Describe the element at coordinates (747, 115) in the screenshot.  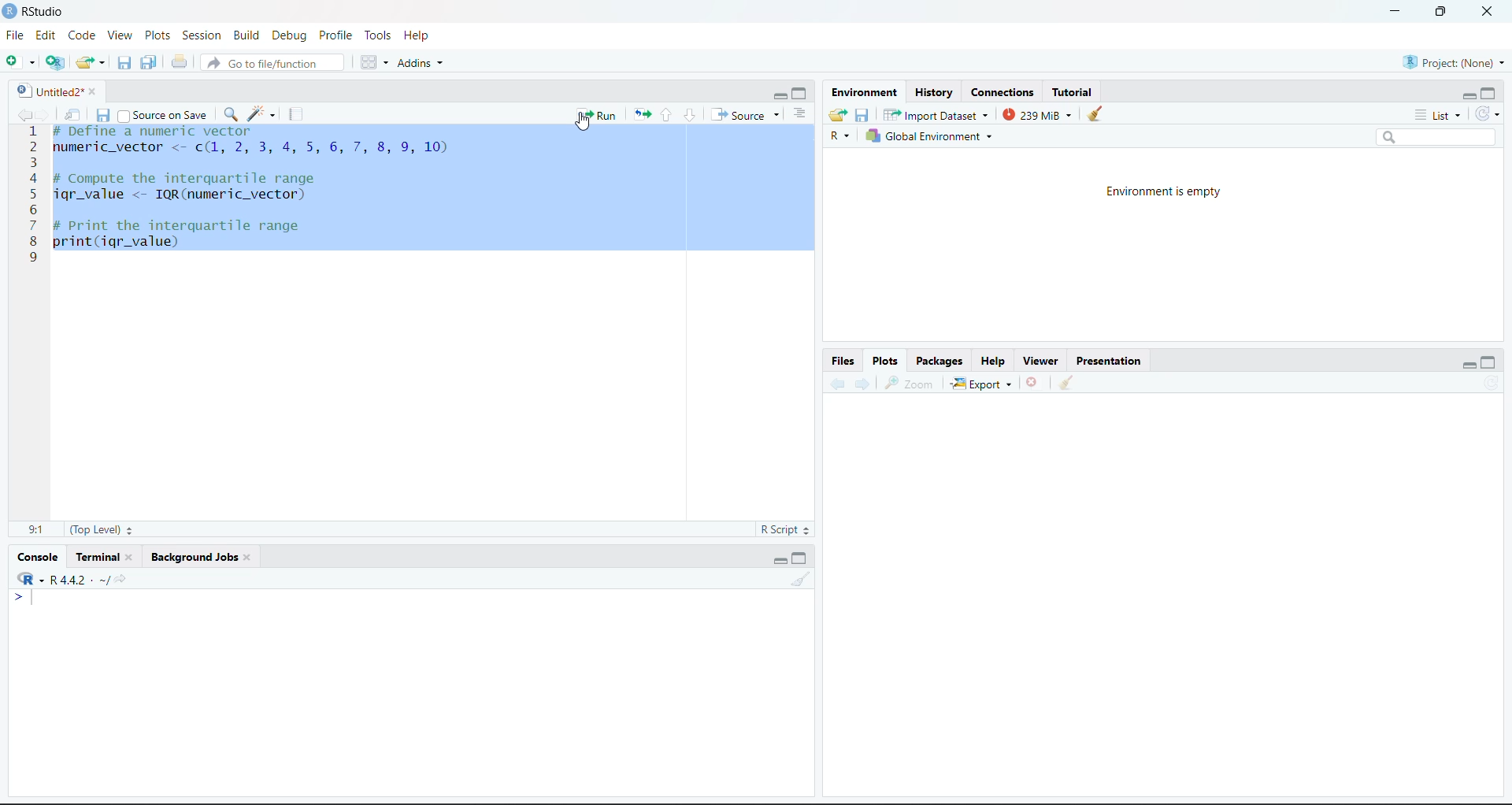
I see `Source the contents of the active document` at that location.